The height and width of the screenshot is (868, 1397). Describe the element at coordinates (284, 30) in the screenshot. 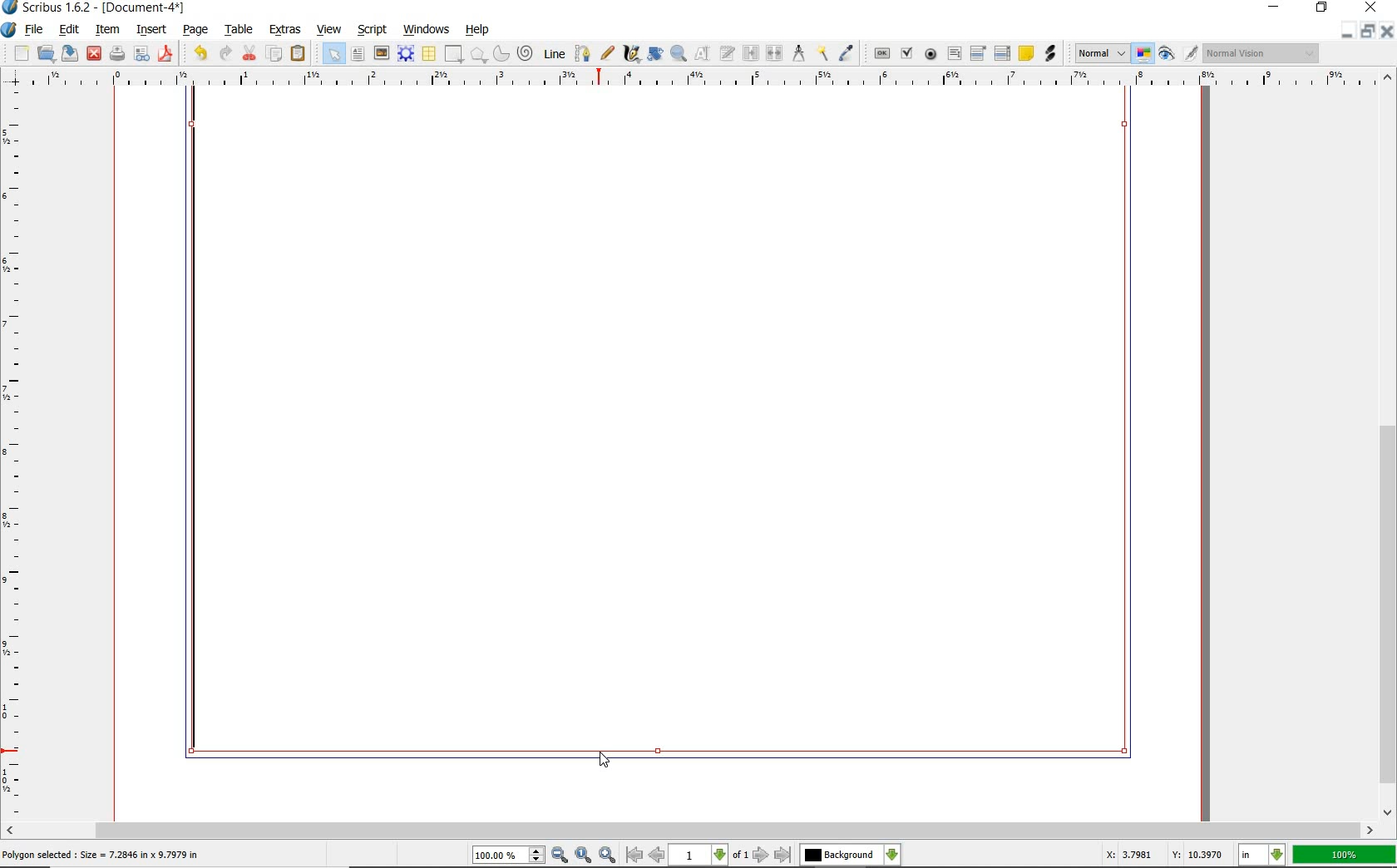

I see `extras` at that location.